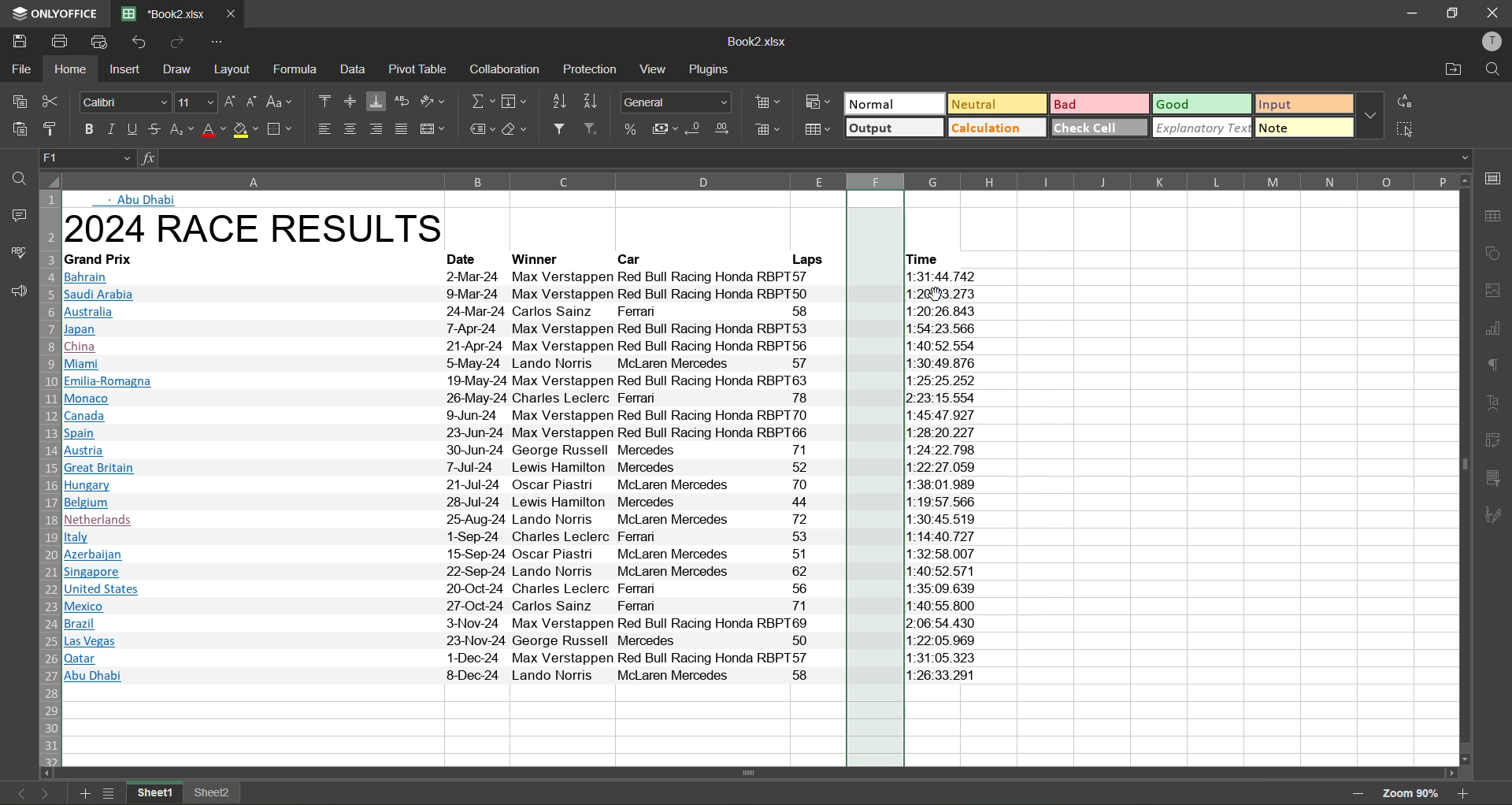 Image resolution: width=1512 pixels, height=805 pixels. What do you see at coordinates (446, 416) in the screenshot?
I see `Canada 99-Jun-24 Max Verstappen Red Bull Racing Honda RBPT70 1:45:47 927` at bounding box center [446, 416].